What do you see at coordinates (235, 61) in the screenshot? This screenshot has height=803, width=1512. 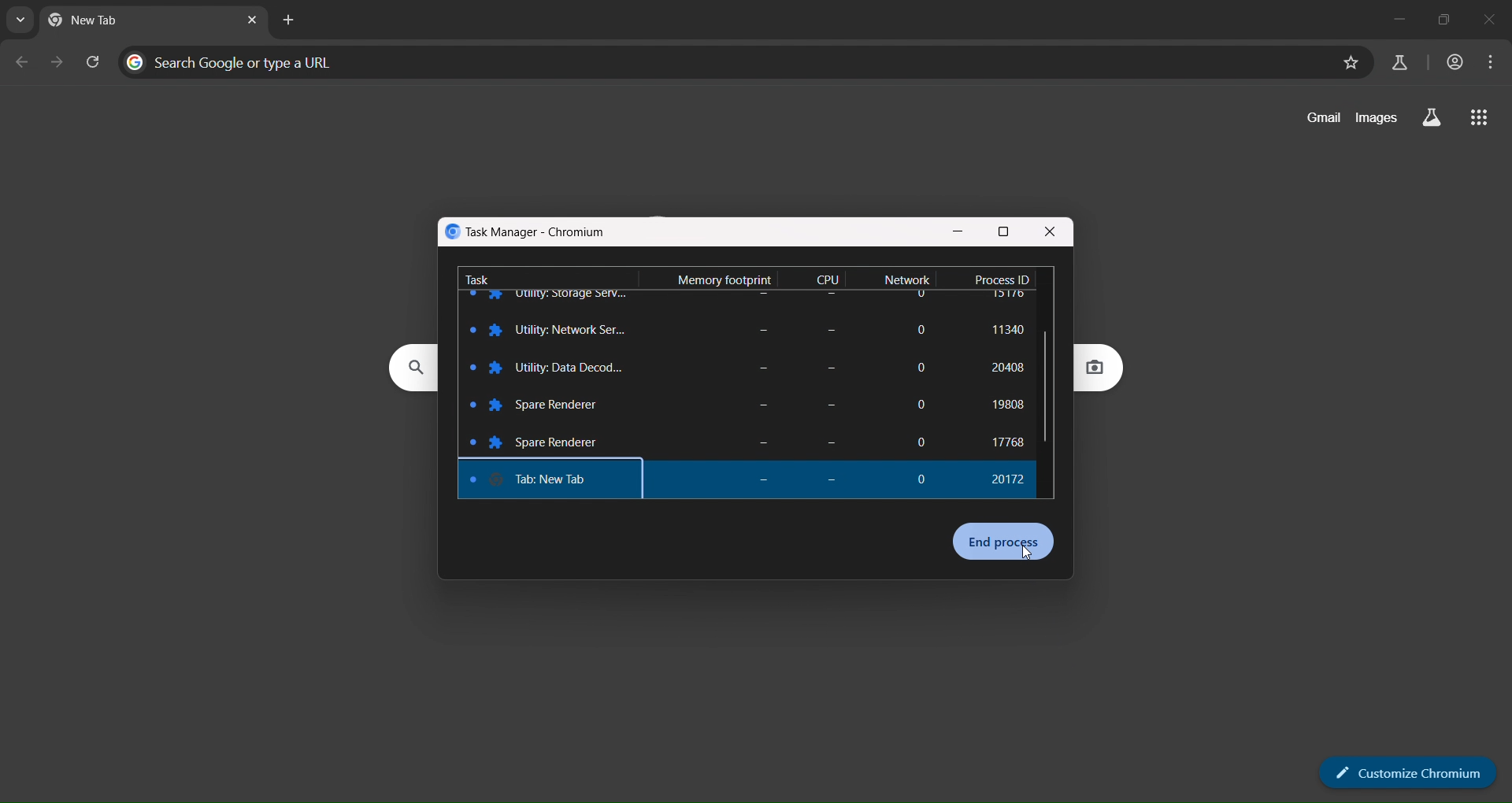 I see `search panel` at bounding box center [235, 61].